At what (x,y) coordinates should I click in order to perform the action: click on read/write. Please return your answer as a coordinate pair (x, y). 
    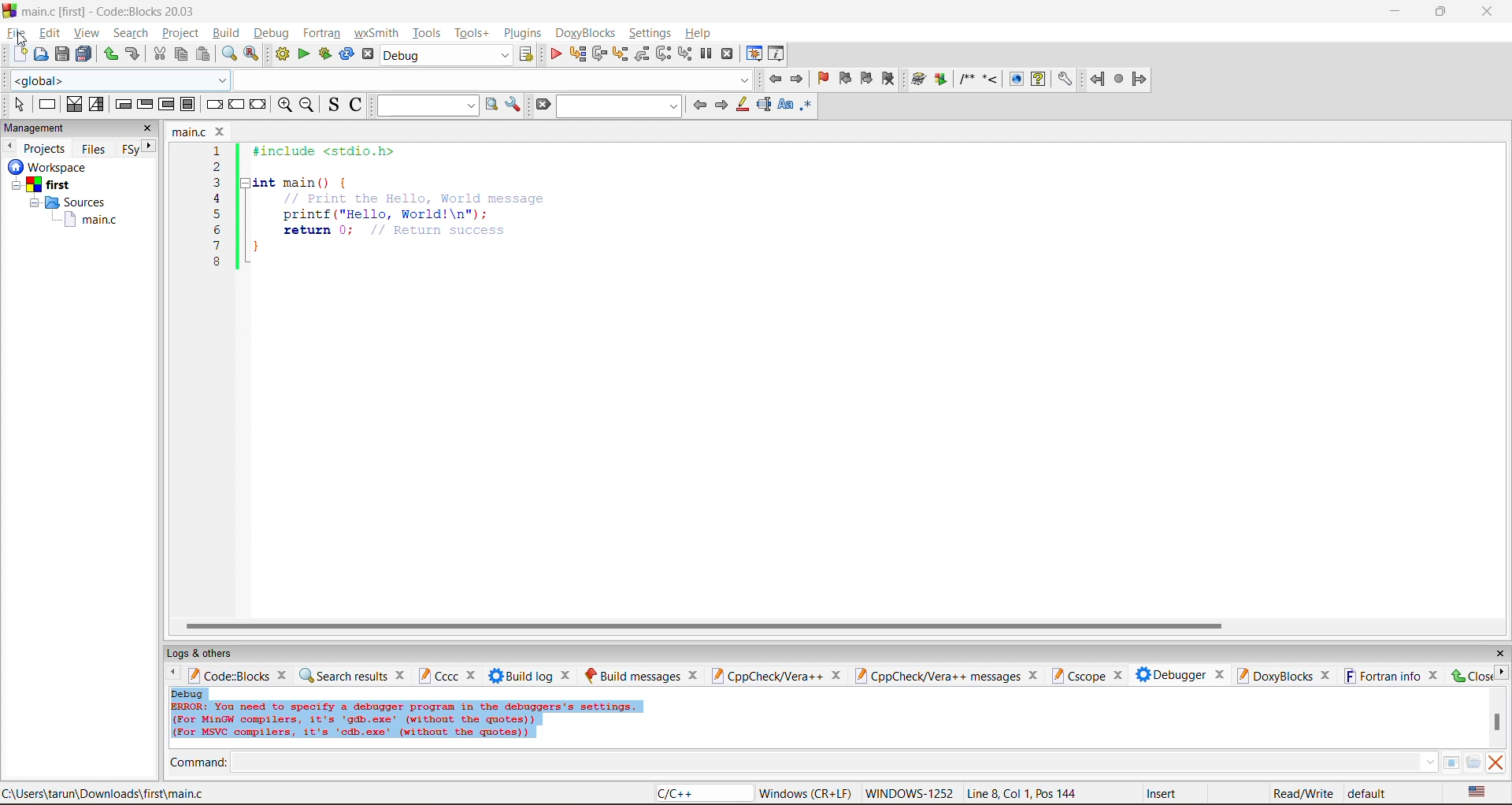
    Looking at the image, I should click on (1303, 793).